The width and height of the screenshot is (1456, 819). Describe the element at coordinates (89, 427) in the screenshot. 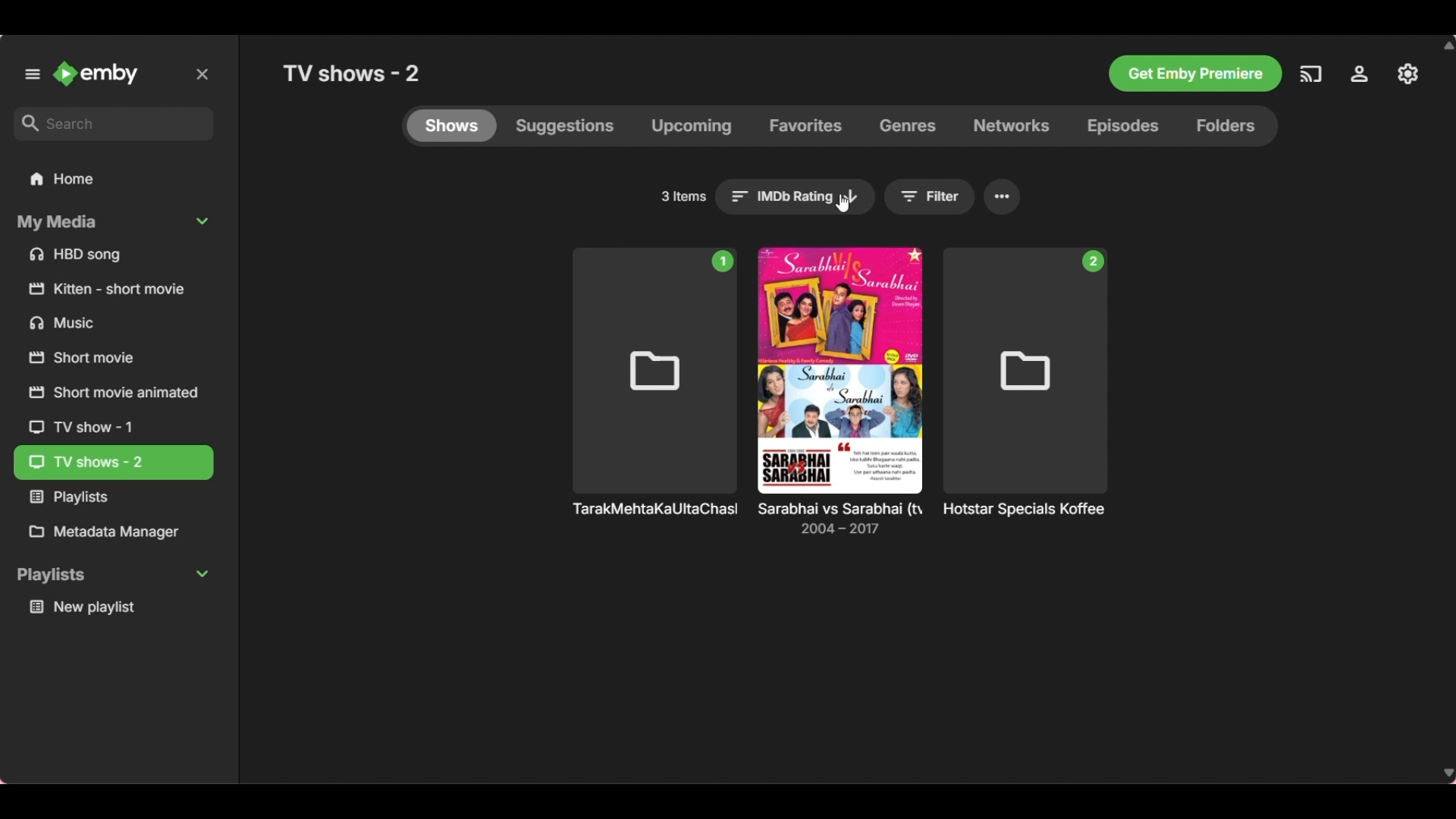

I see `` at that location.